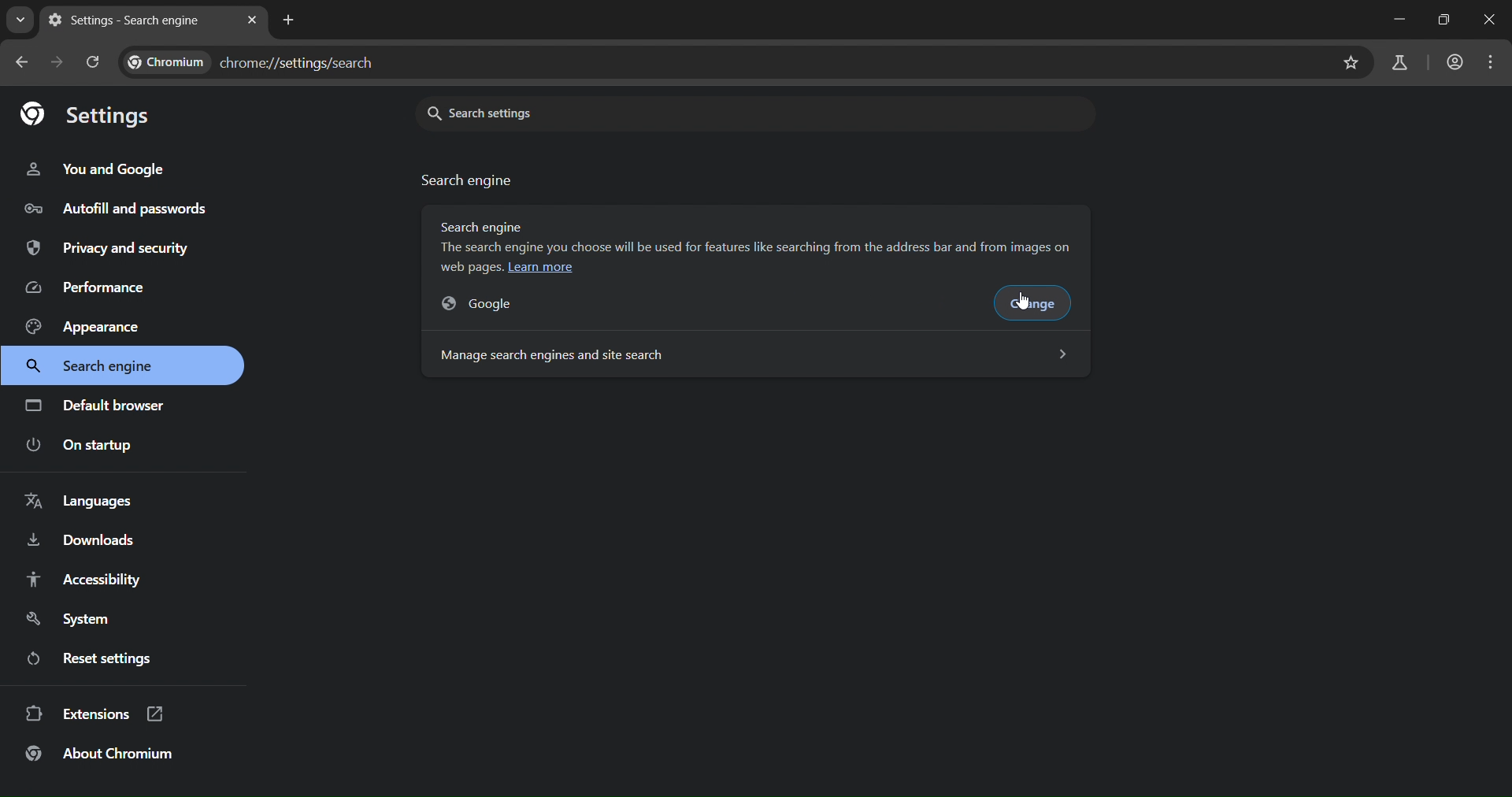 The height and width of the screenshot is (797, 1512). I want to click on account, so click(1455, 65).